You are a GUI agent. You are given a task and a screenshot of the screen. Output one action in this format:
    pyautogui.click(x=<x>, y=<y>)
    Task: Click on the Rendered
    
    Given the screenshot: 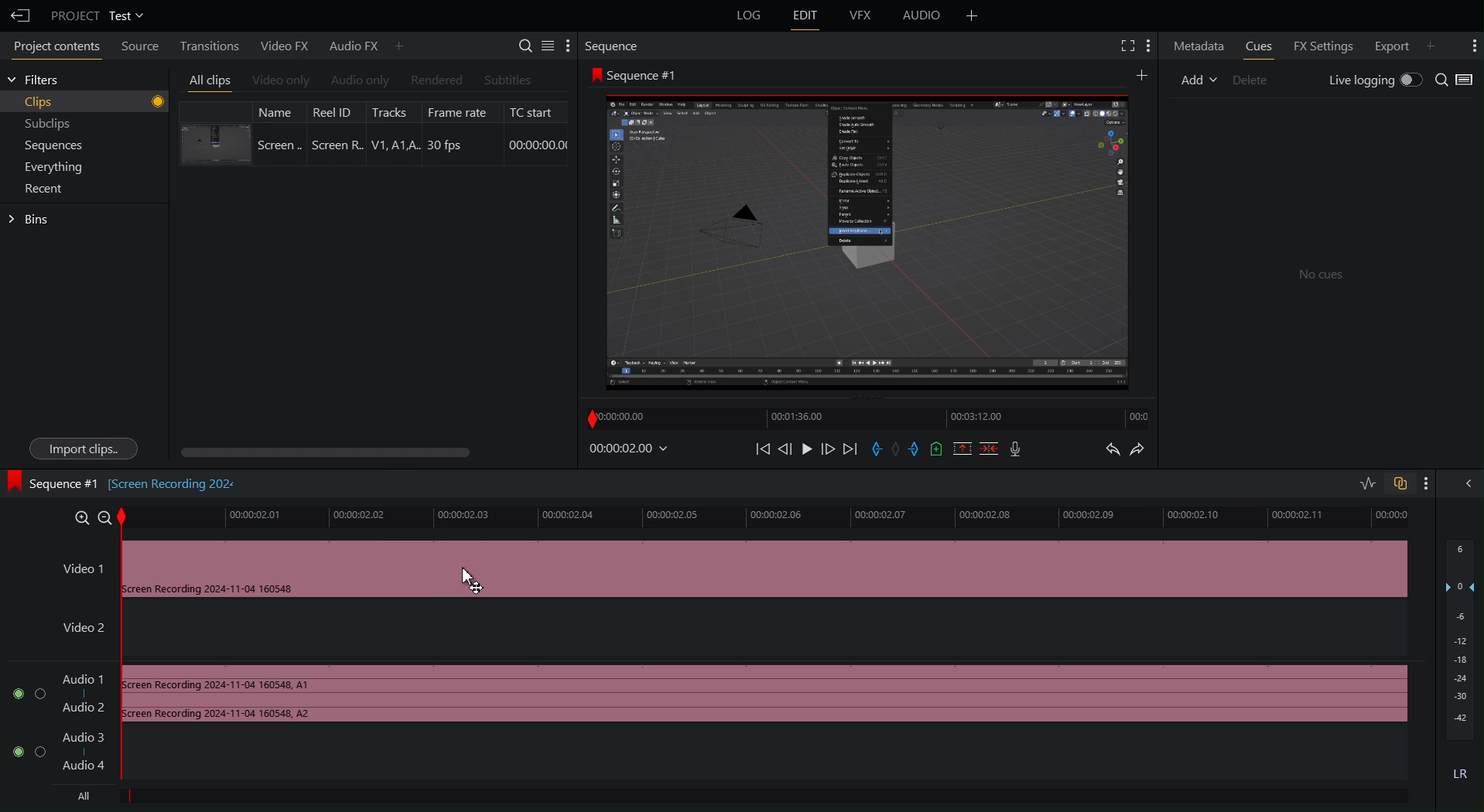 What is the action you would take?
    pyautogui.click(x=433, y=80)
    